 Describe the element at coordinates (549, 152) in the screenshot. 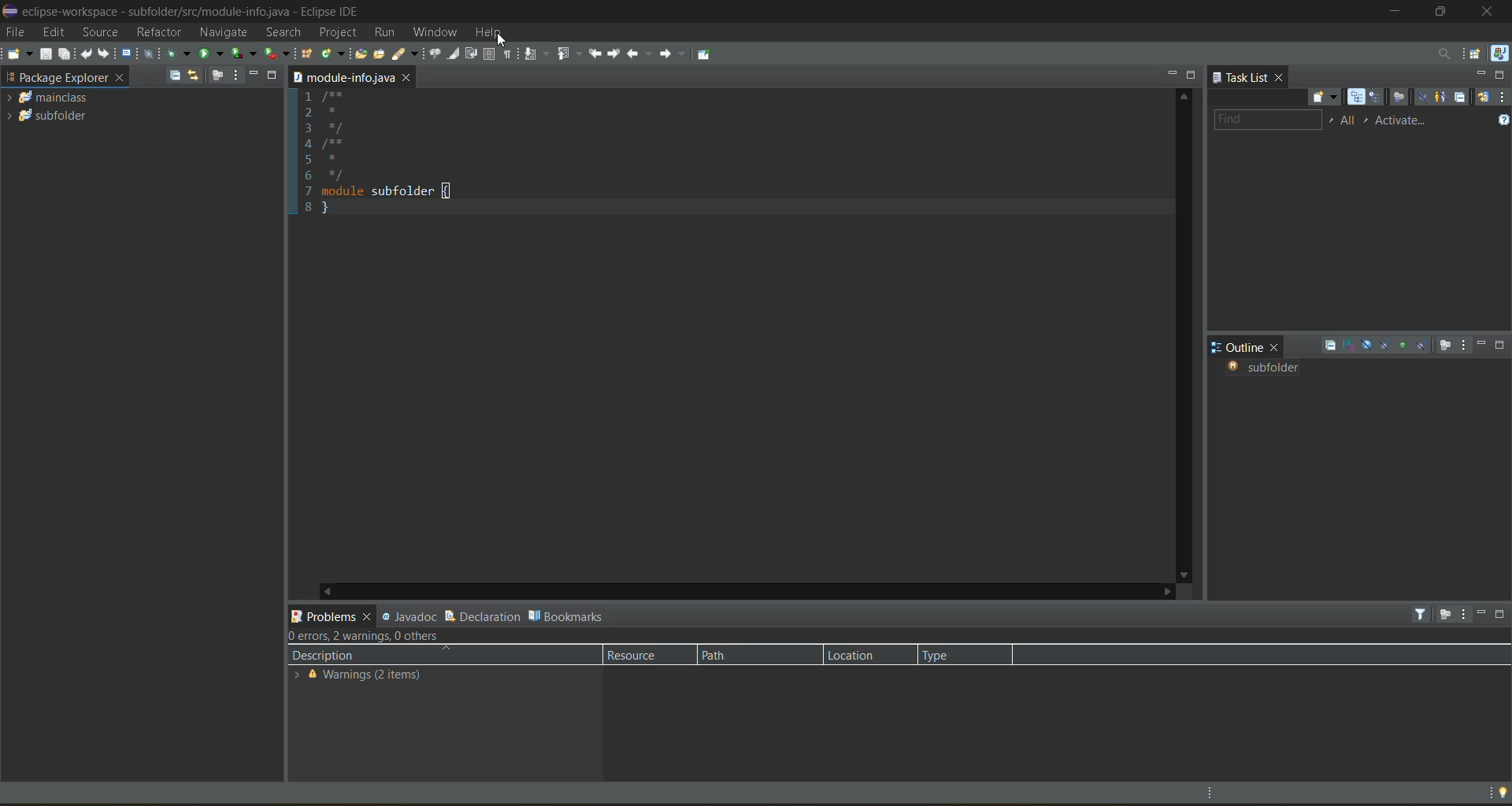

I see `1 /** 2  * 3  */ 4 /** 5 * 6 */ 7 module subfolder { 8 }` at that location.